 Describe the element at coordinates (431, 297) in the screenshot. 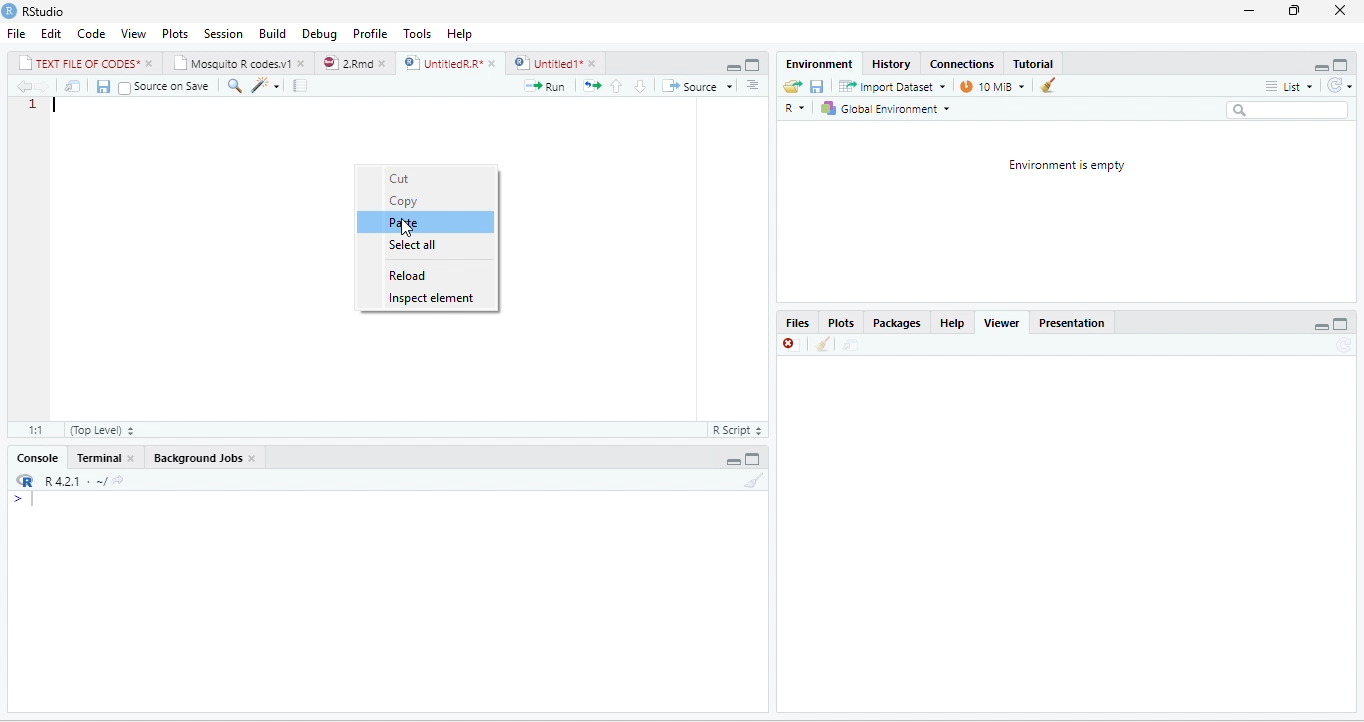

I see `inspect element` at that location.